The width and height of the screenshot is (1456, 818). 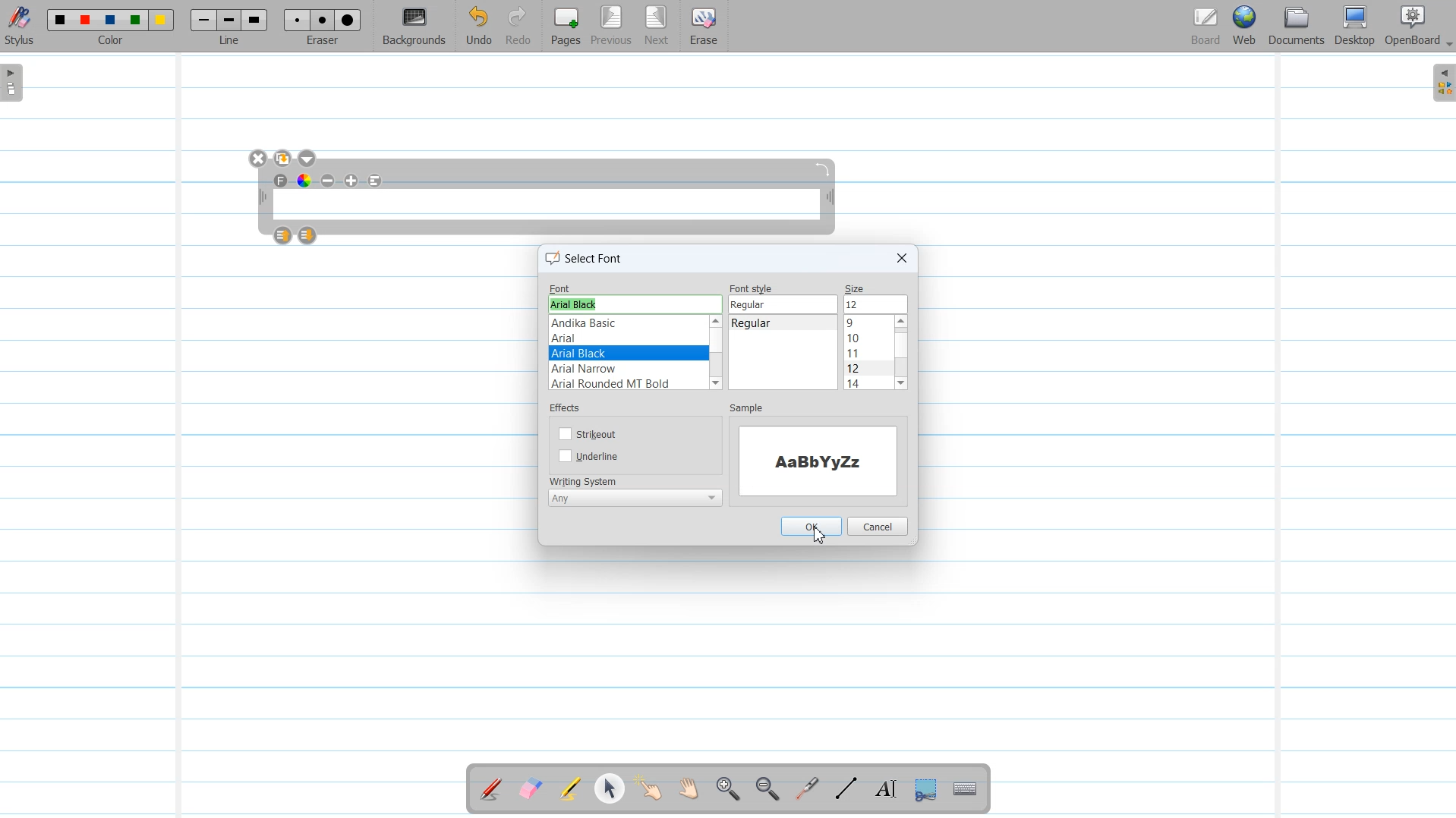 What do you see at coordinates (824, 168) in the screenshot?
I see `Rotate Text window` at bounding box center [824, 168].